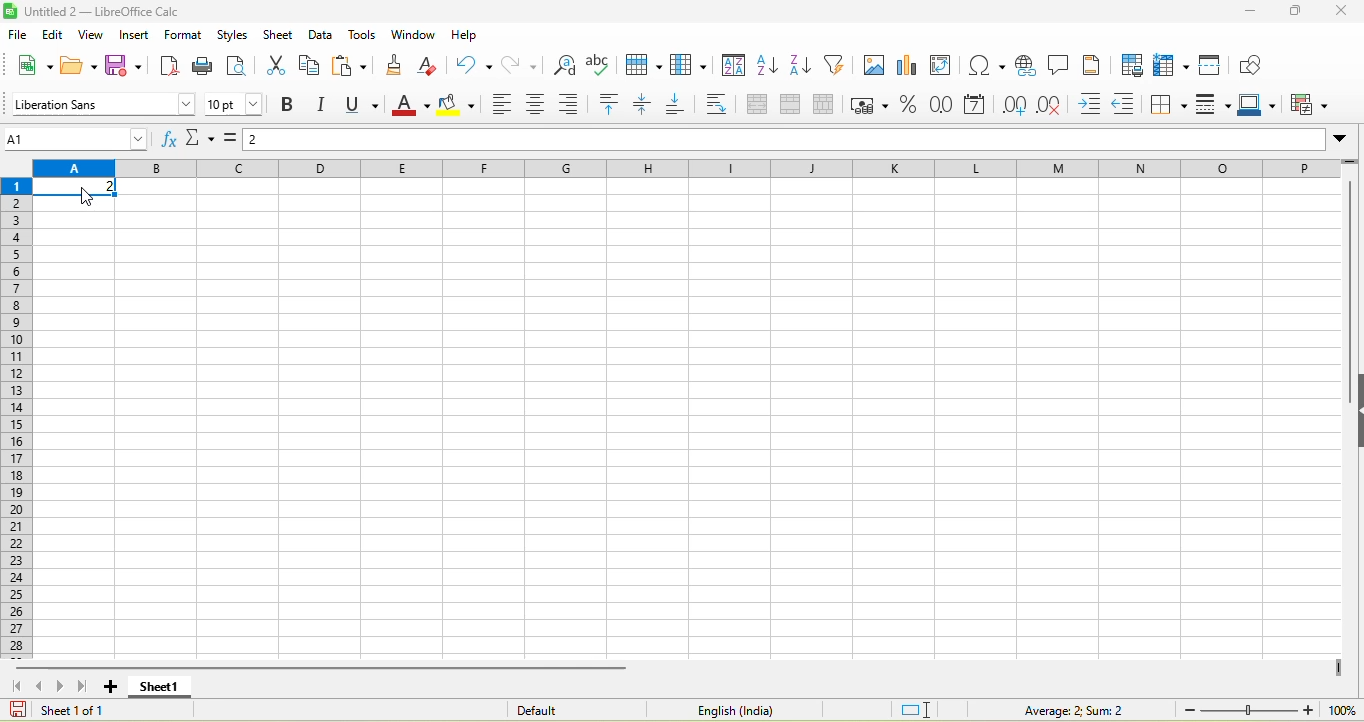 This screenshot has width=1364, height=722. Describe the element at coordinates (599, 65) in the screenshot. I see `spelling` at that location.